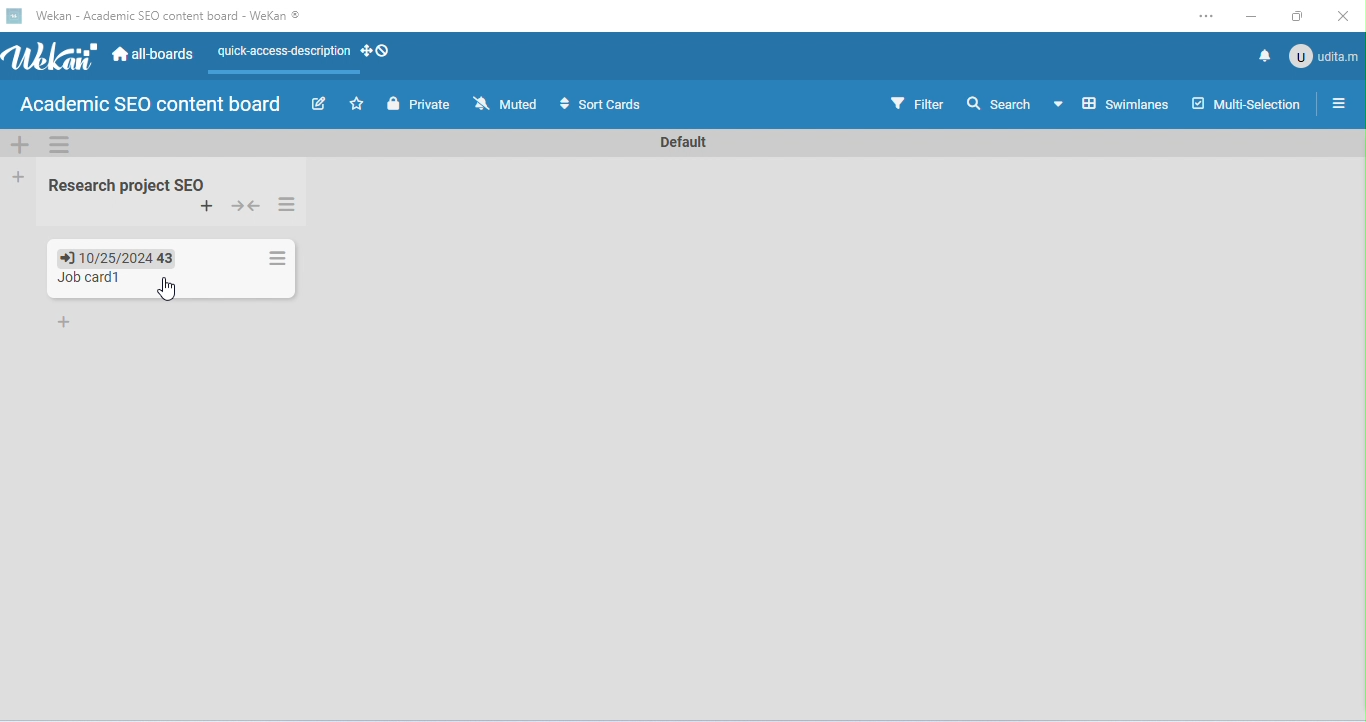  I want to click on maximize, so click(1297, 16).